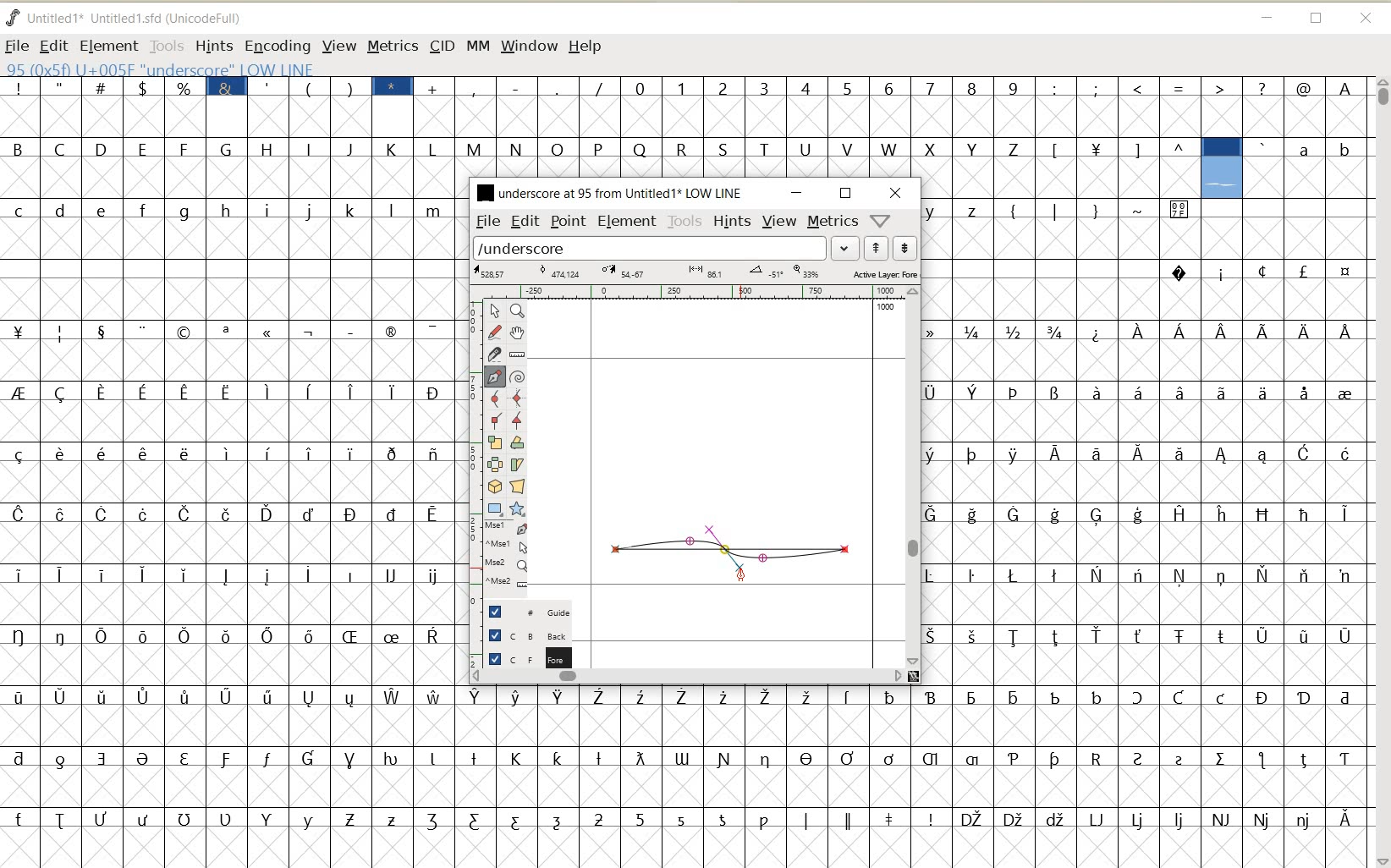  Describe the element at coordinates (495, 377) in the screenshot. I see `add a point, then drag out its control points` at that location.